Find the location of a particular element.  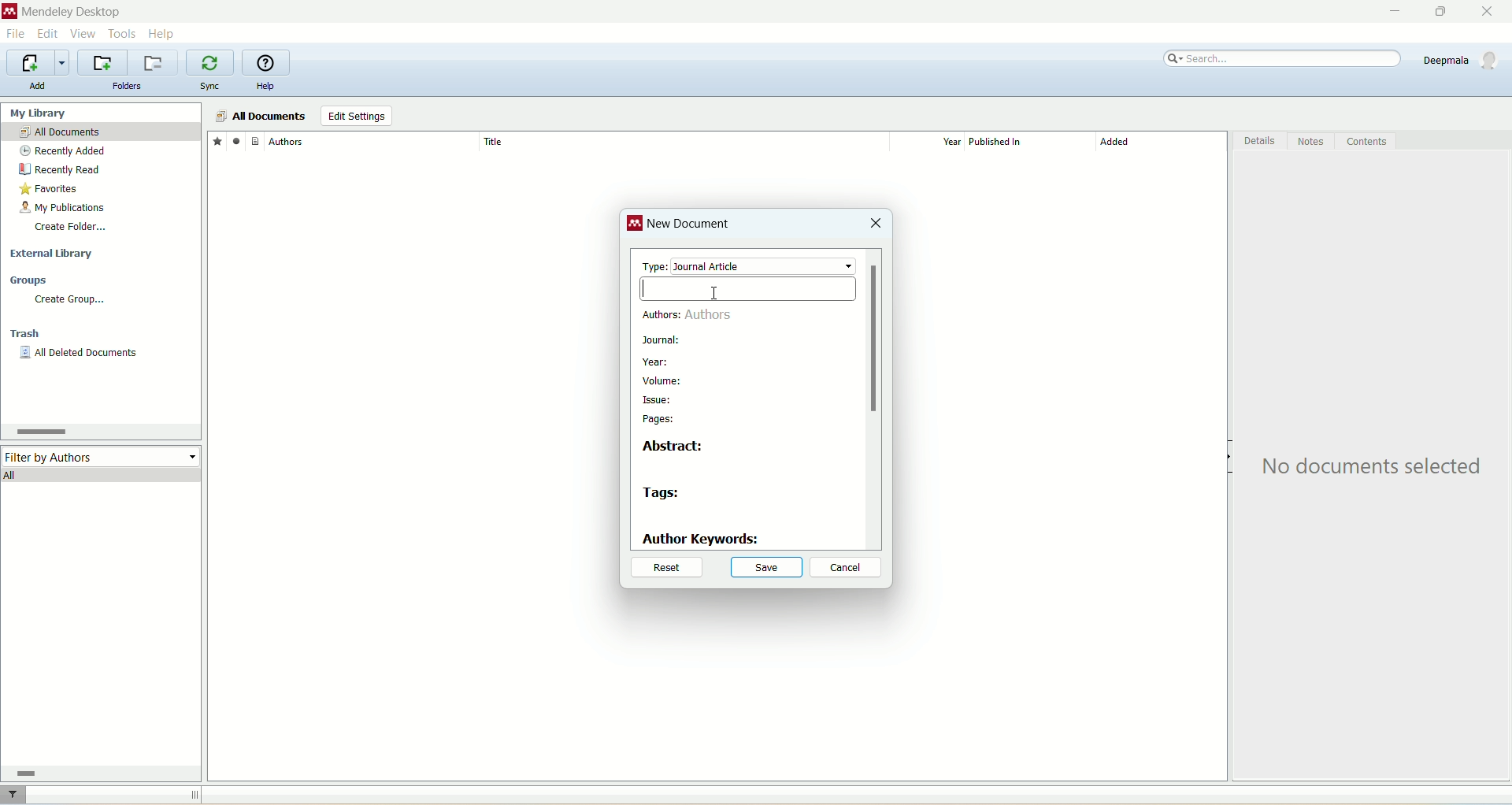

author is located at coordinates (373, 142).